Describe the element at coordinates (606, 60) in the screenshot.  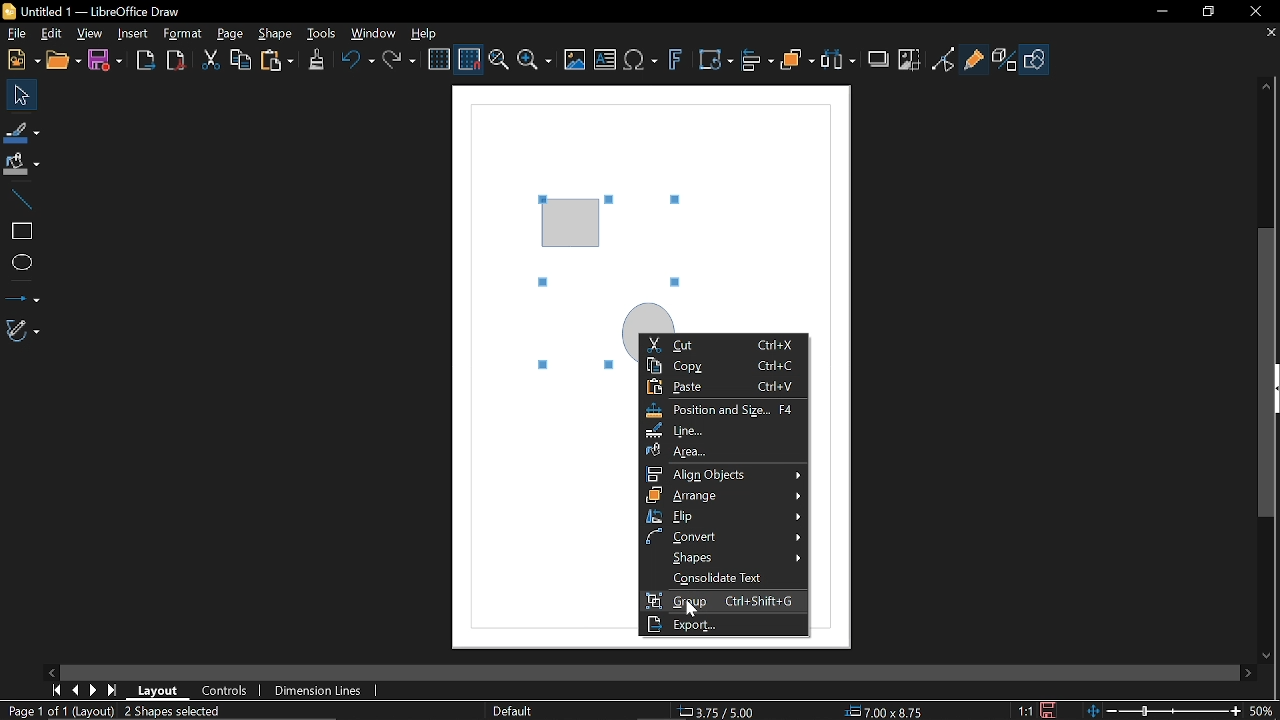
I see `Insert text` at that location.